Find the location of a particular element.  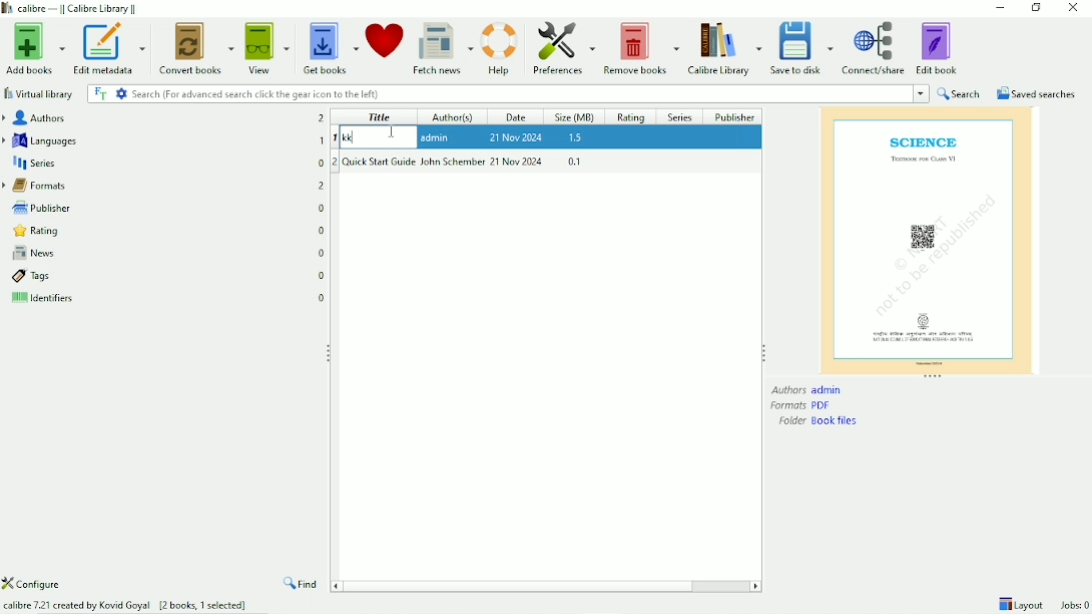

Series is located at coordinates (681, 116).